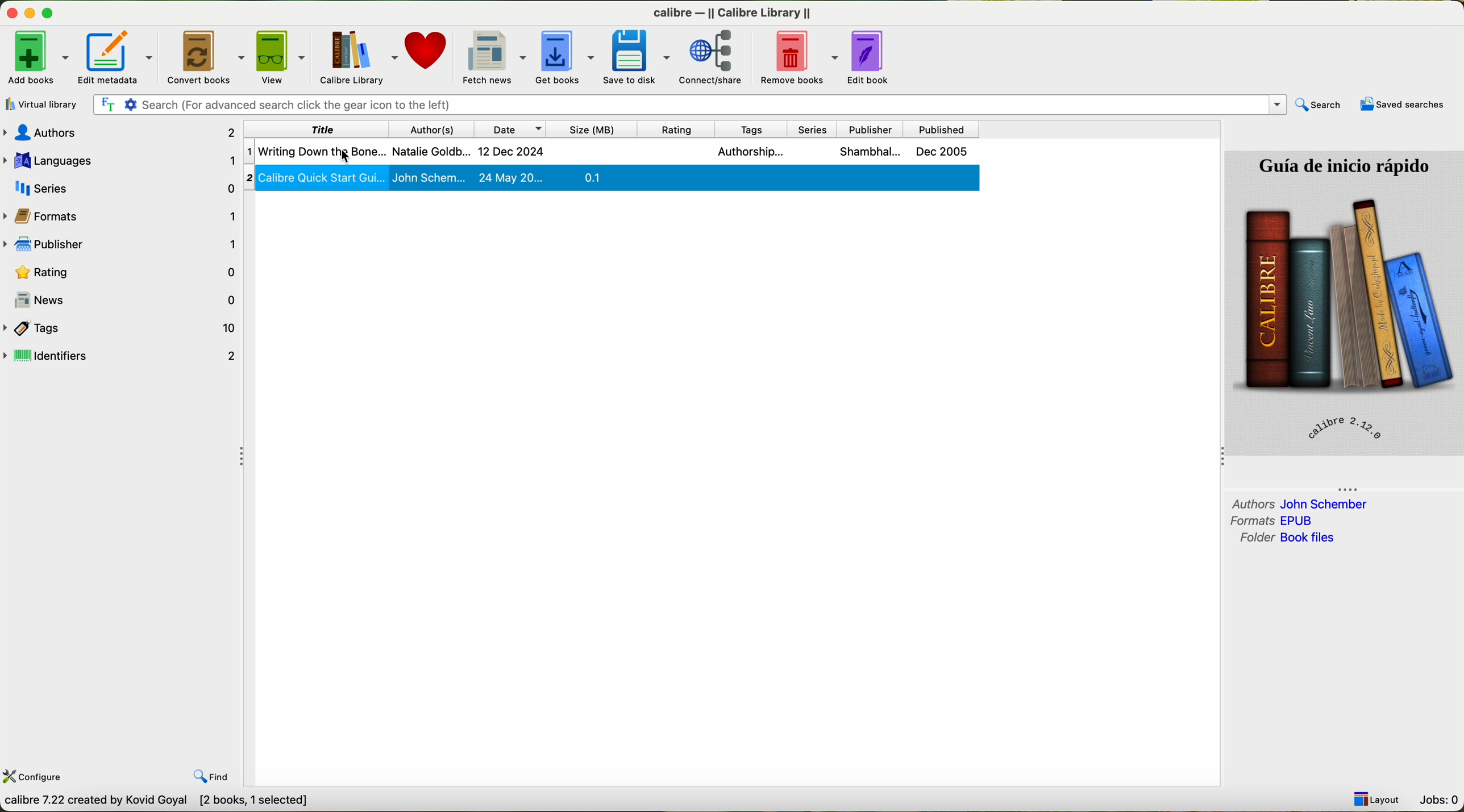 Image resolution: width=1464 pixels, height=812 pixels. What do you see at coordinates (675, 130) in the screenshot?
I see `rating` at bounding box center [675, 130].